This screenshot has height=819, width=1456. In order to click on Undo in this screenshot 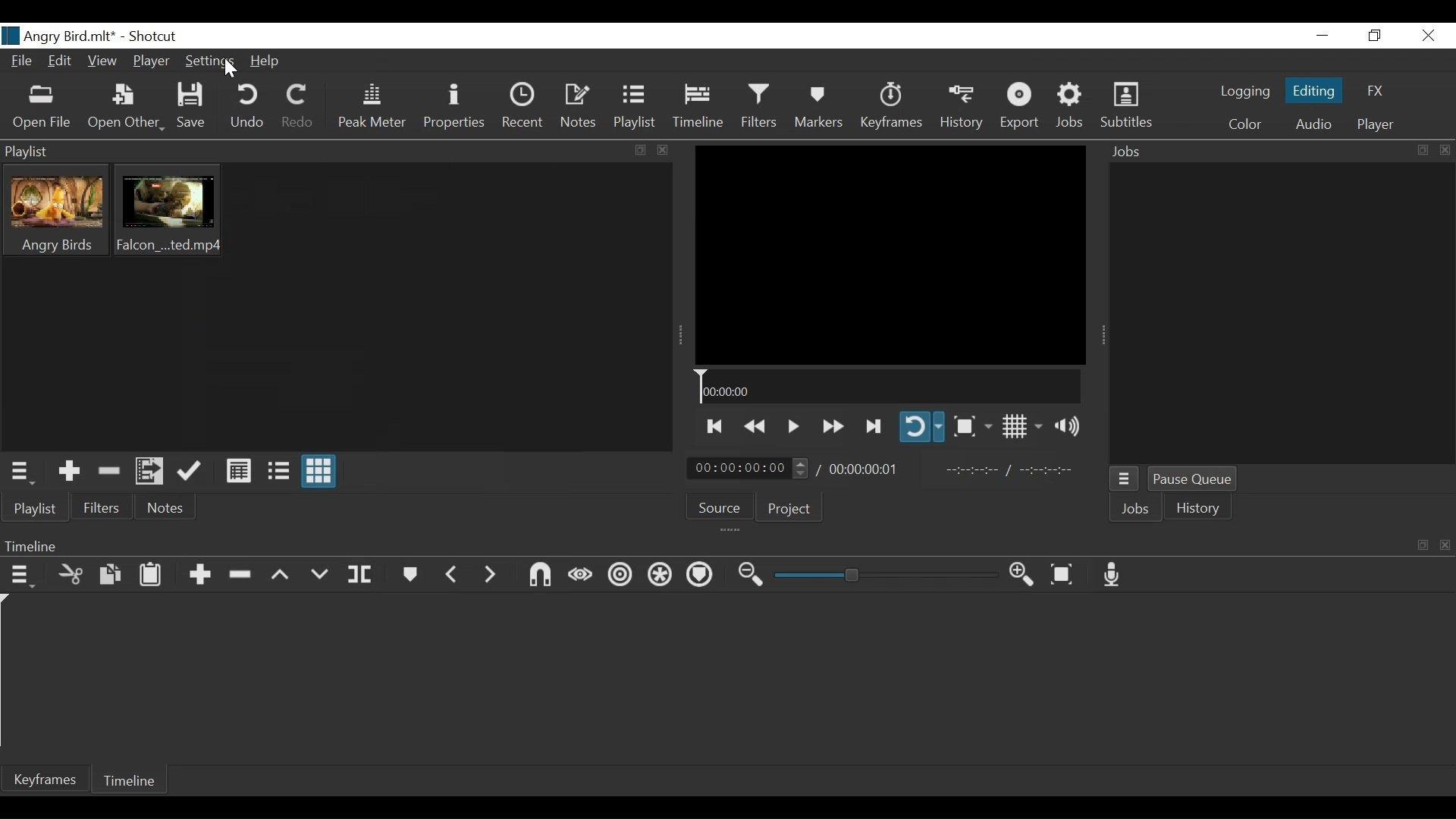, I will do `click(246, 108)`.